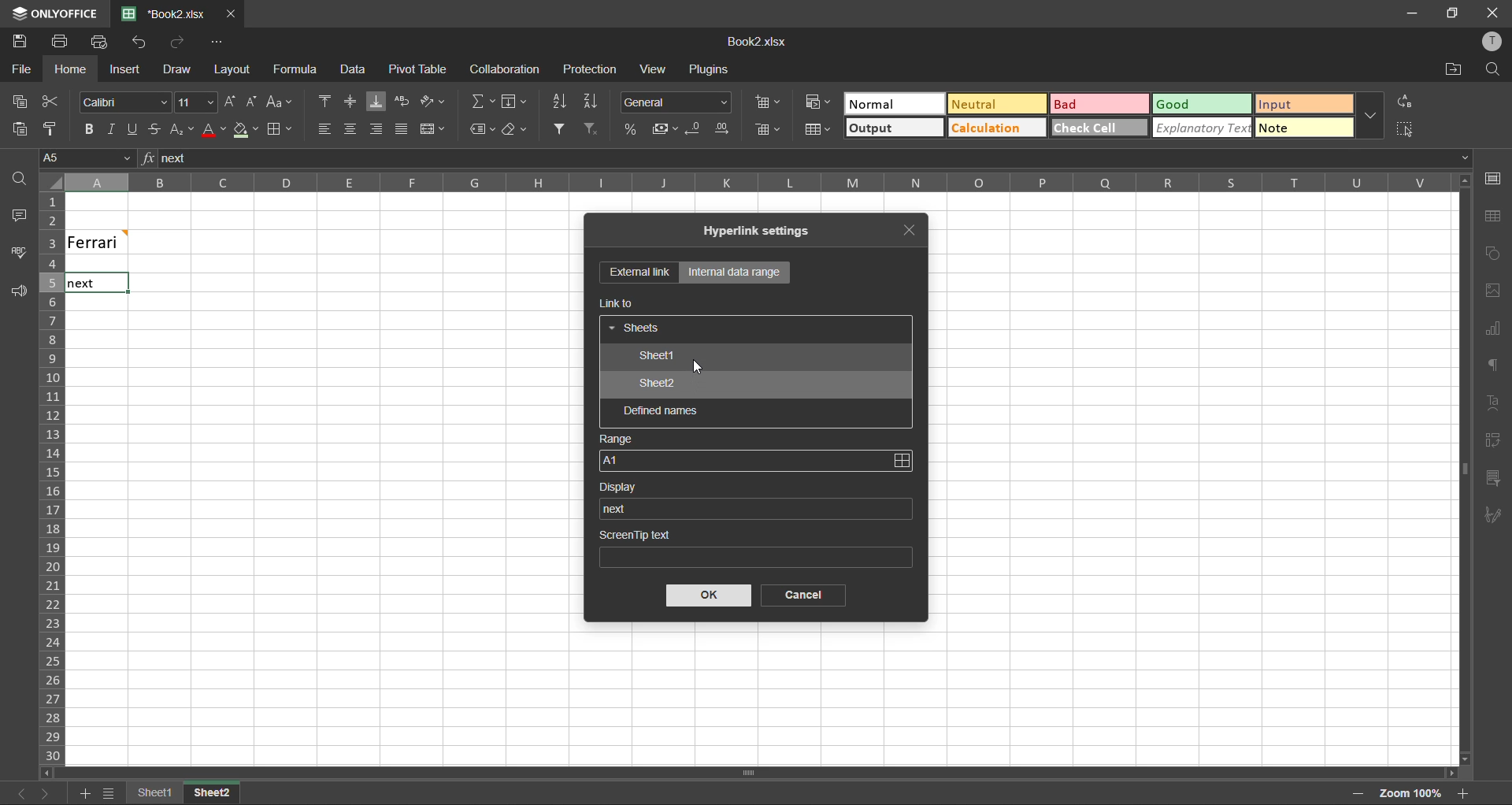 This screenshot has height=805, width=1512. Describe the element at coordinates (592, 70) in the screenshot. I see `protection` at that location.